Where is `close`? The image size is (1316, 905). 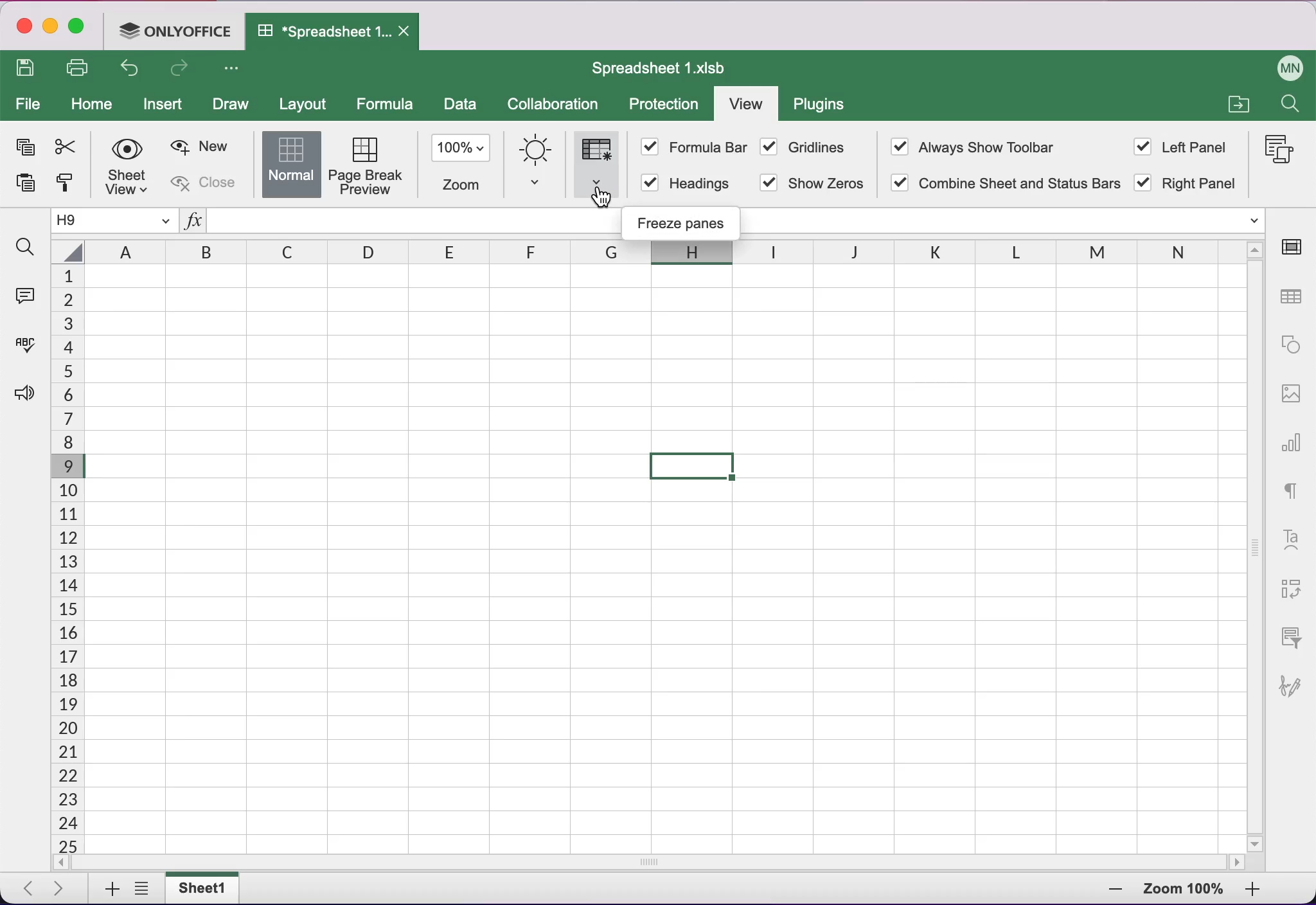 close is located at coordinates (24, 26).